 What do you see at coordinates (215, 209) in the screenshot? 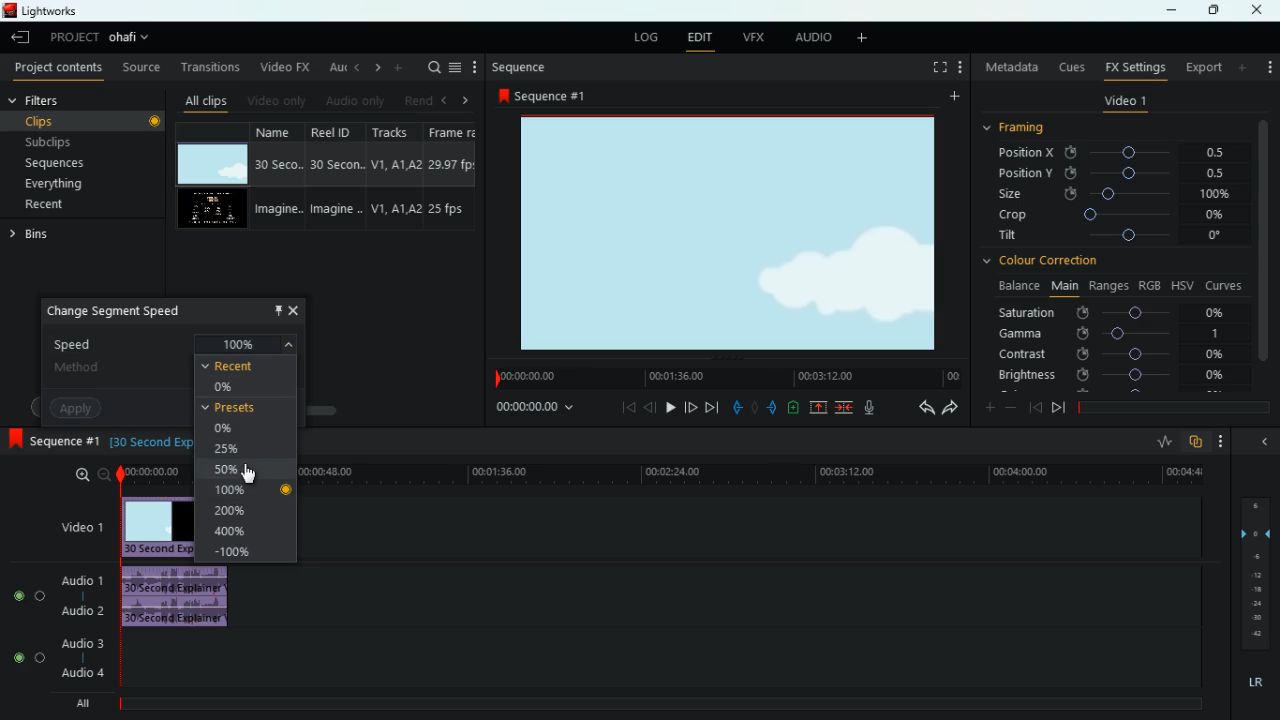
I see `video` at bounding box center [215, 209].